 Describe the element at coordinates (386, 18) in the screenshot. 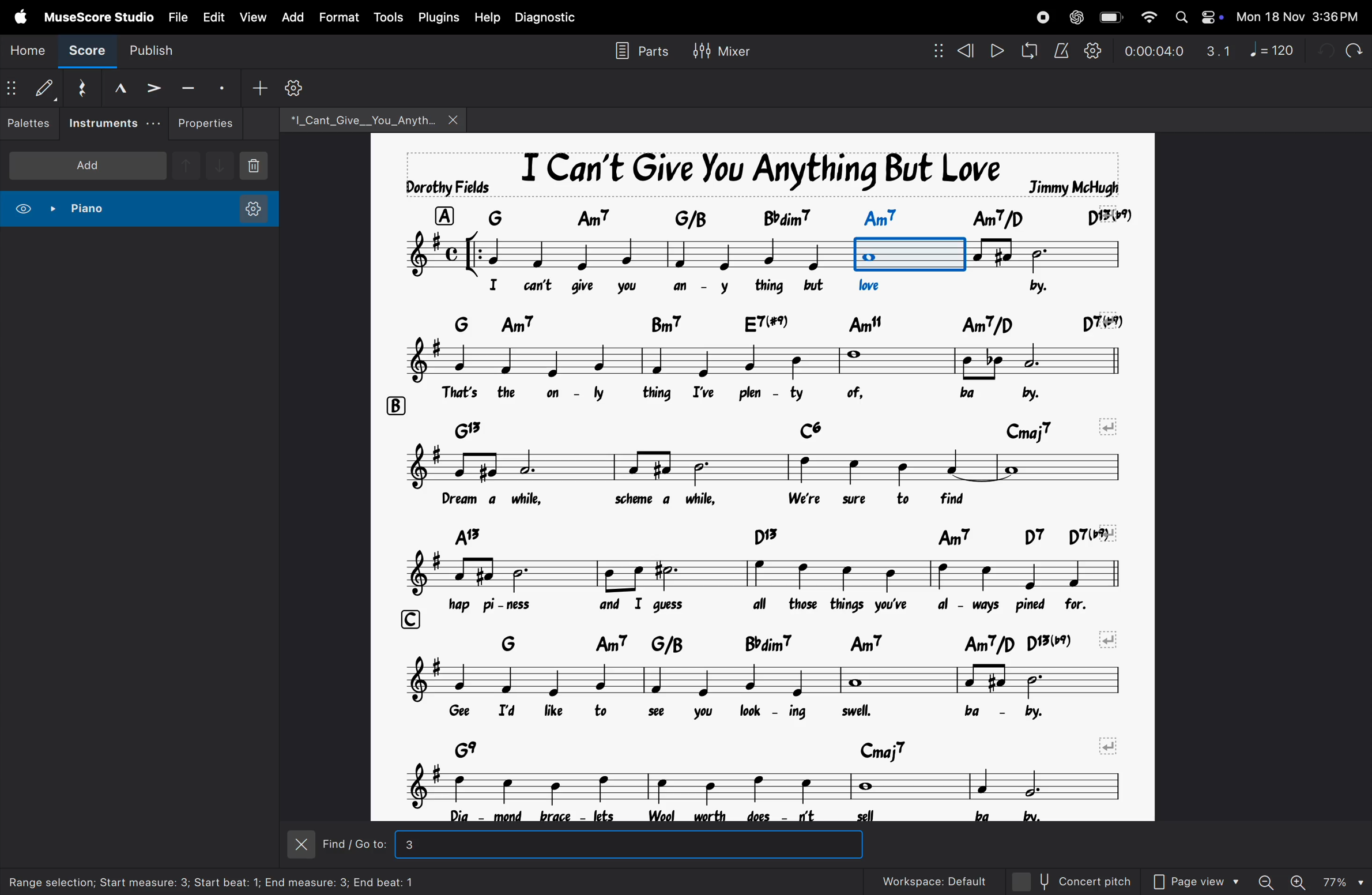

I see `tools` at that location.